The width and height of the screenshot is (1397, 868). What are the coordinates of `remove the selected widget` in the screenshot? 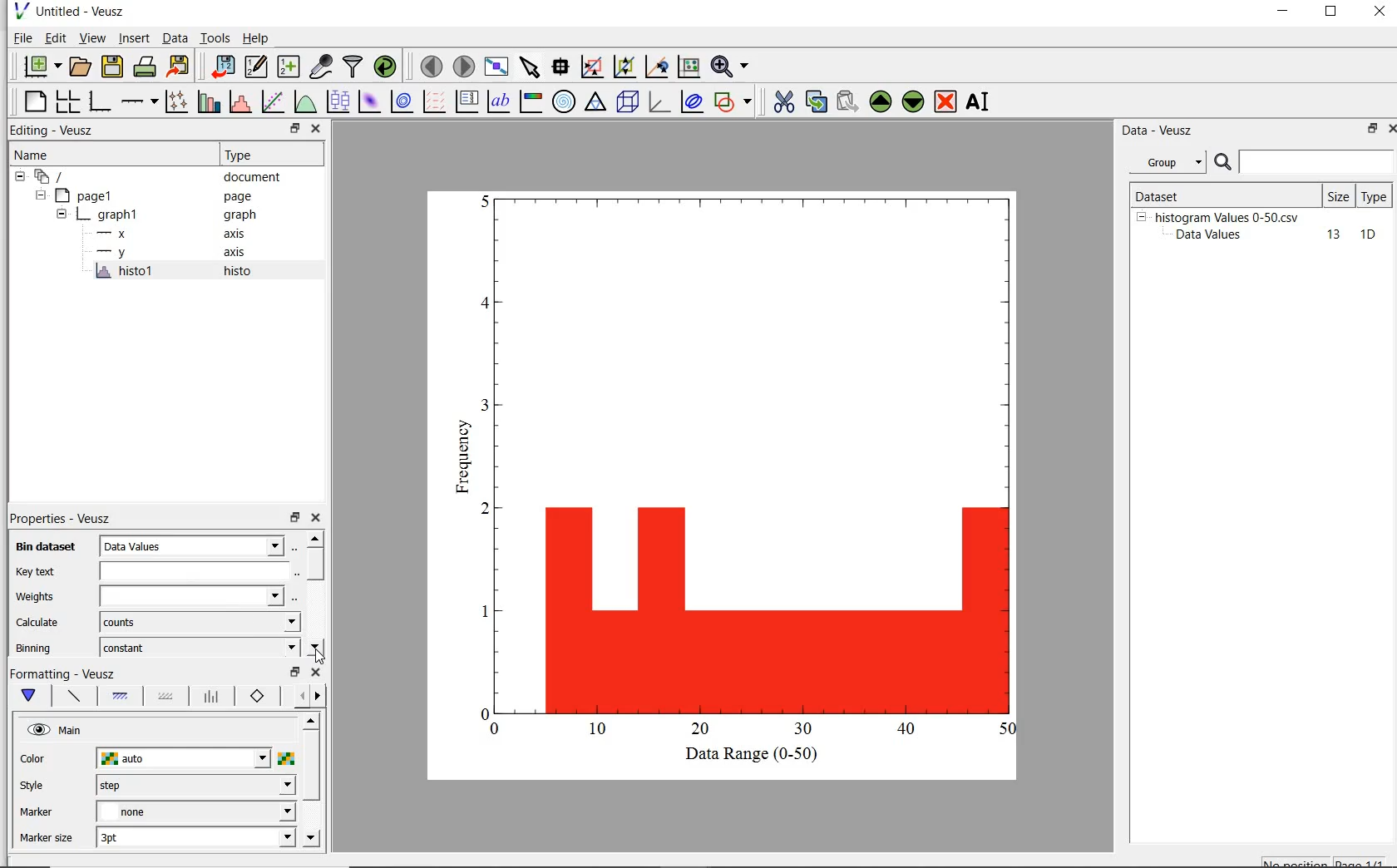 It's located at (945, 103).